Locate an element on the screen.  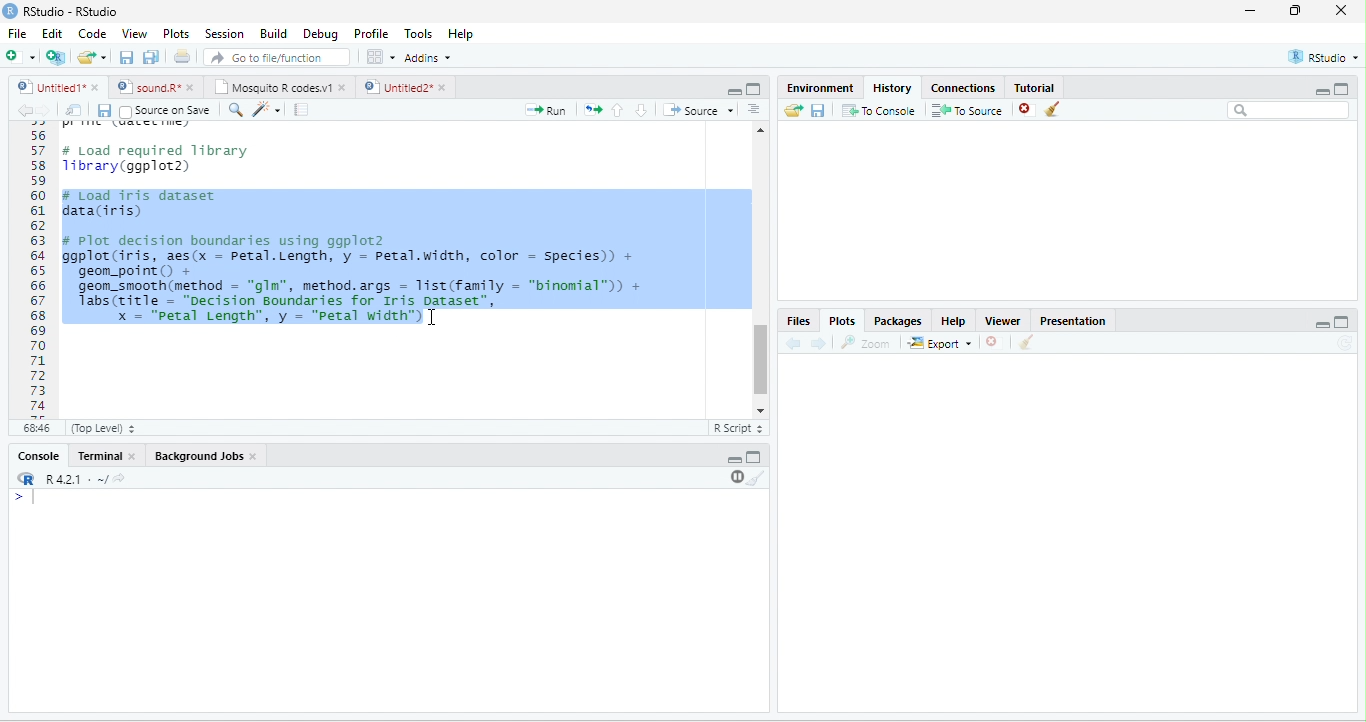
Line numbering is located at coordinates (37, 270).